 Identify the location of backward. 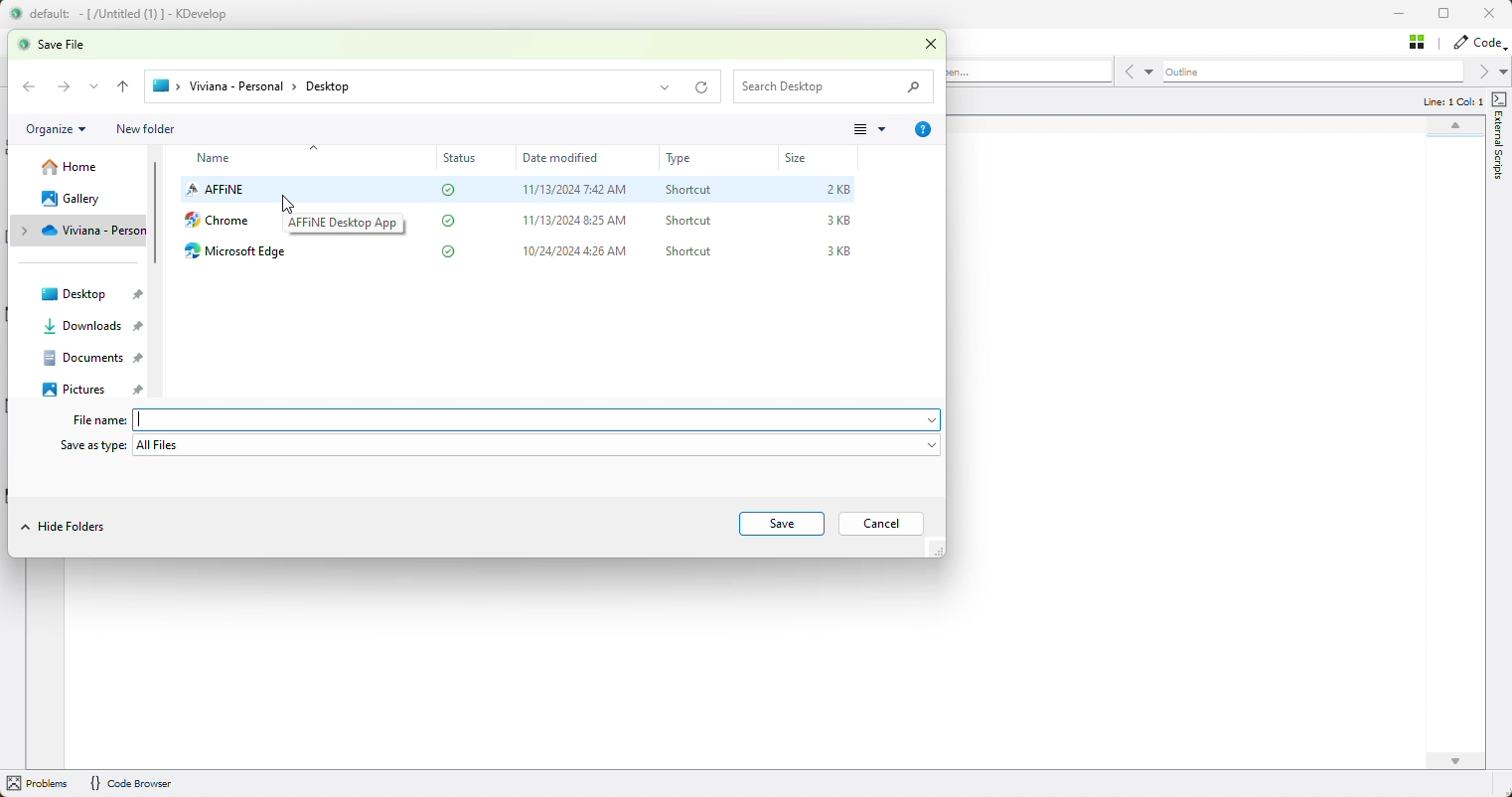
(28, 87).